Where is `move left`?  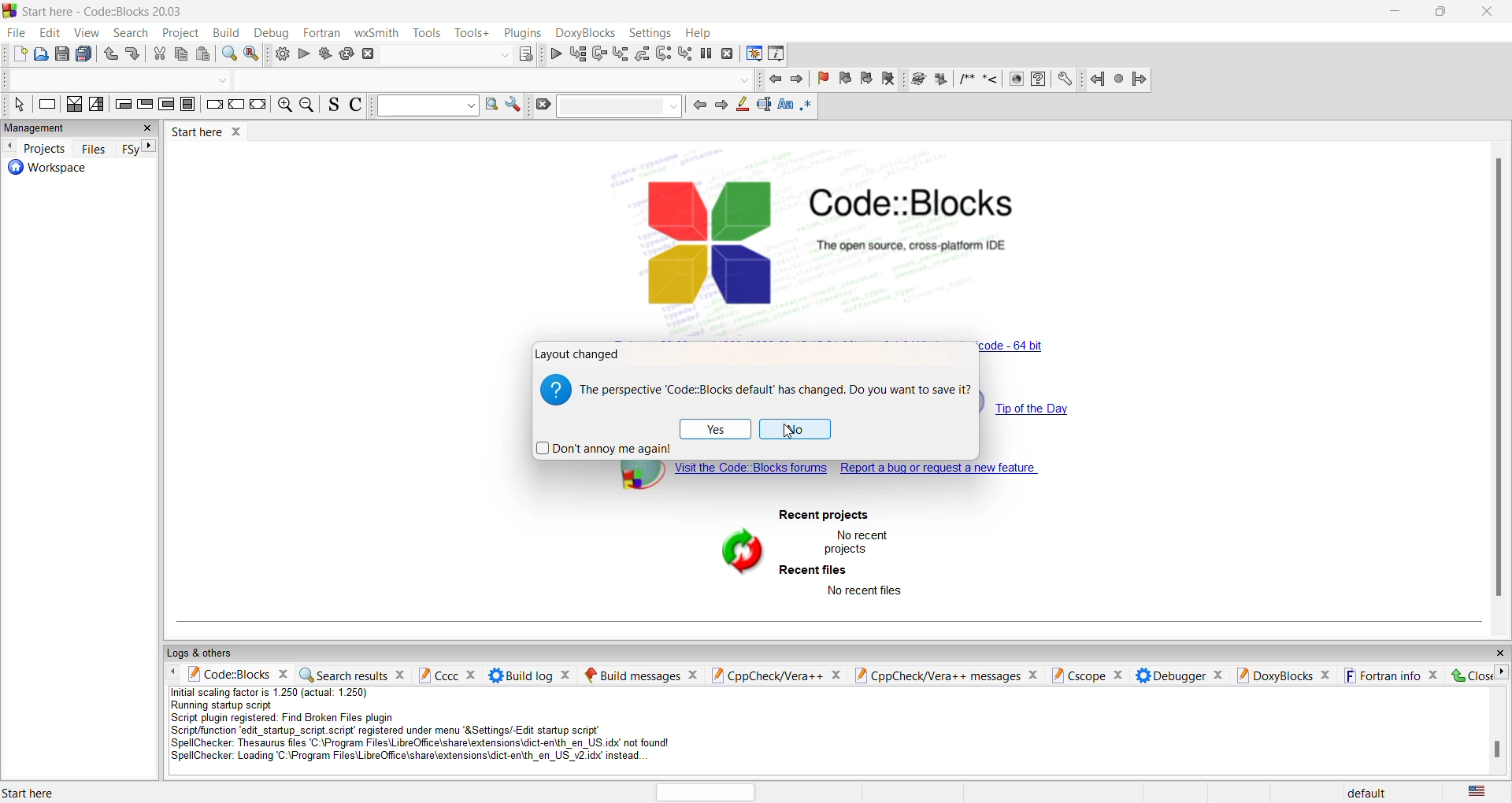
move left is located at coordinates (174, 673).